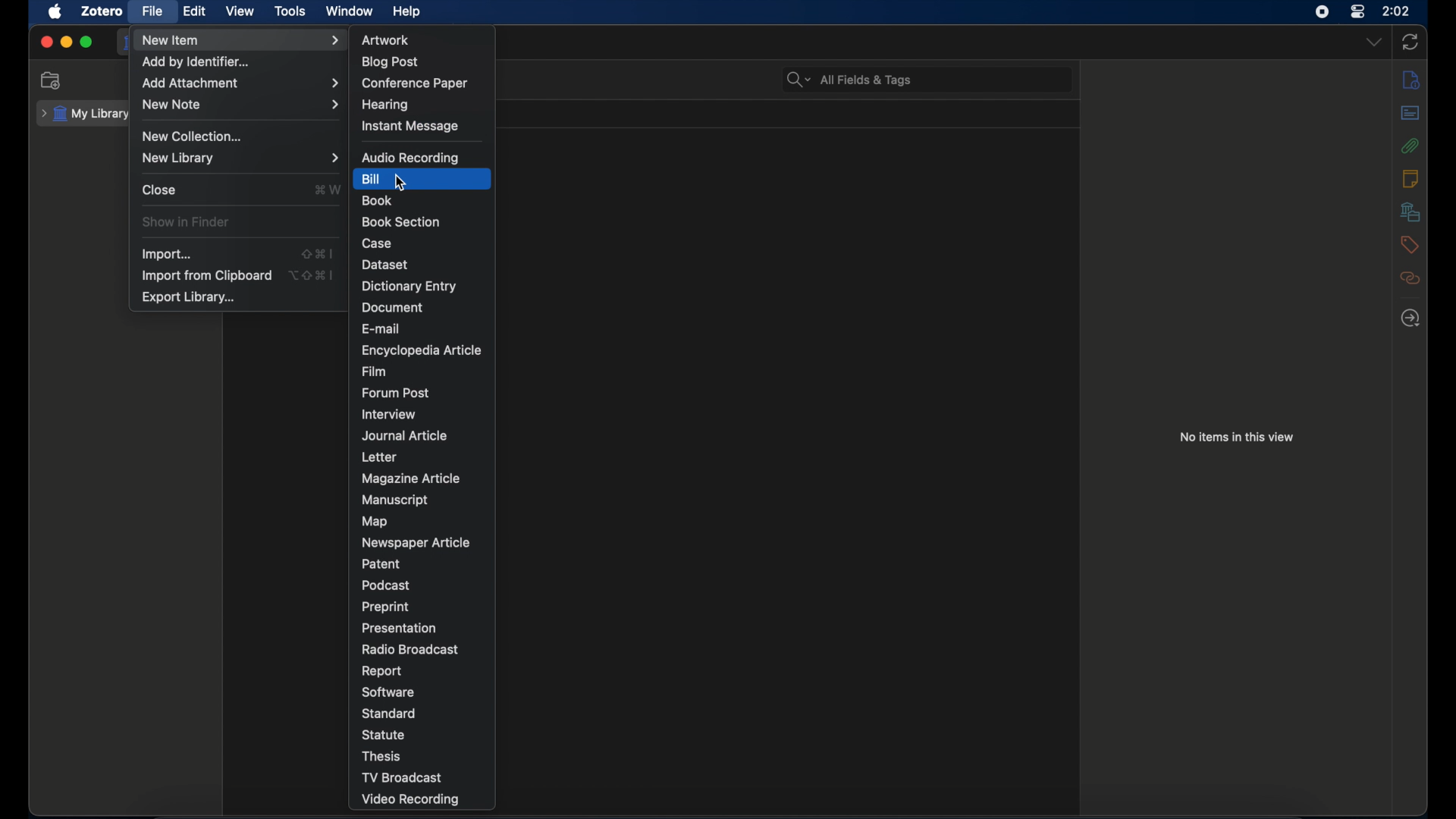 The image size is (1456, 819). What do you see at coordinates (387, 585) in the screenshot?
I see `podcast` at bounding box center [387, 585].